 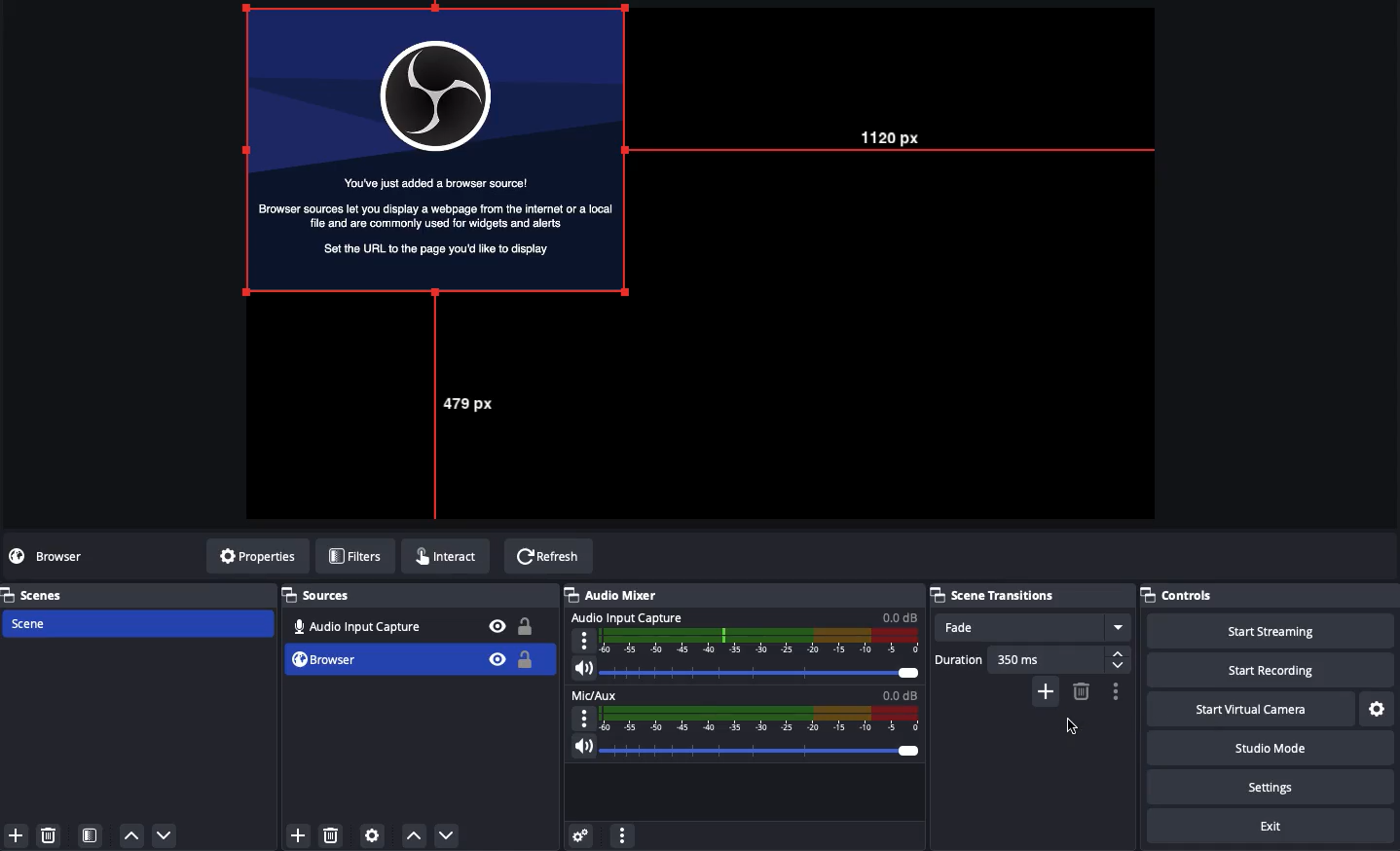 What do you see at coordinates (1274, 826) in the screenshot?
I see `Exit` at bounding box center [1274, 826].